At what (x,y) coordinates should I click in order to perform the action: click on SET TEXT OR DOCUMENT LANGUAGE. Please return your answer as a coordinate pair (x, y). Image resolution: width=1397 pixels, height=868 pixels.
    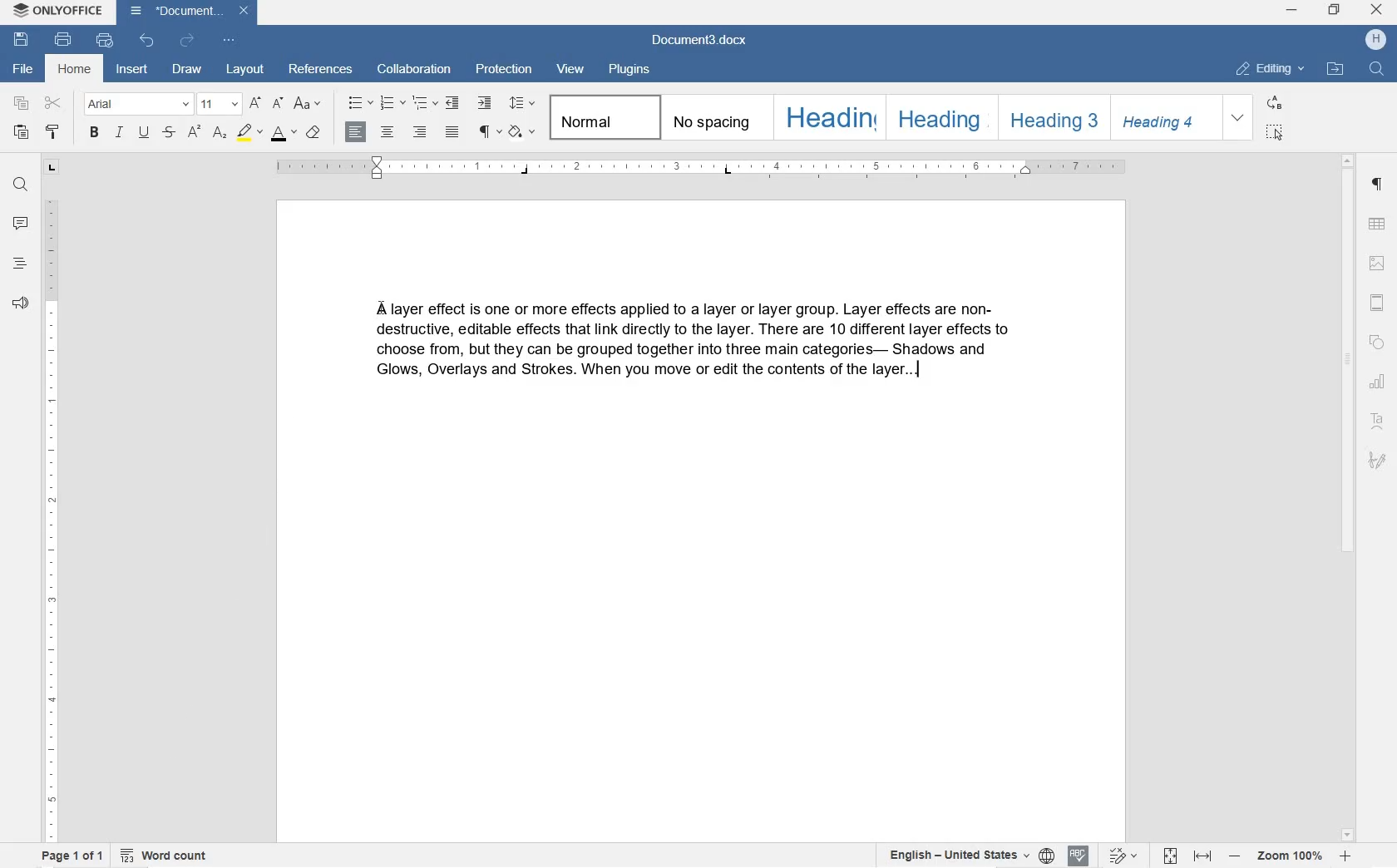
    Looking at the image, I should click on (970, 856).